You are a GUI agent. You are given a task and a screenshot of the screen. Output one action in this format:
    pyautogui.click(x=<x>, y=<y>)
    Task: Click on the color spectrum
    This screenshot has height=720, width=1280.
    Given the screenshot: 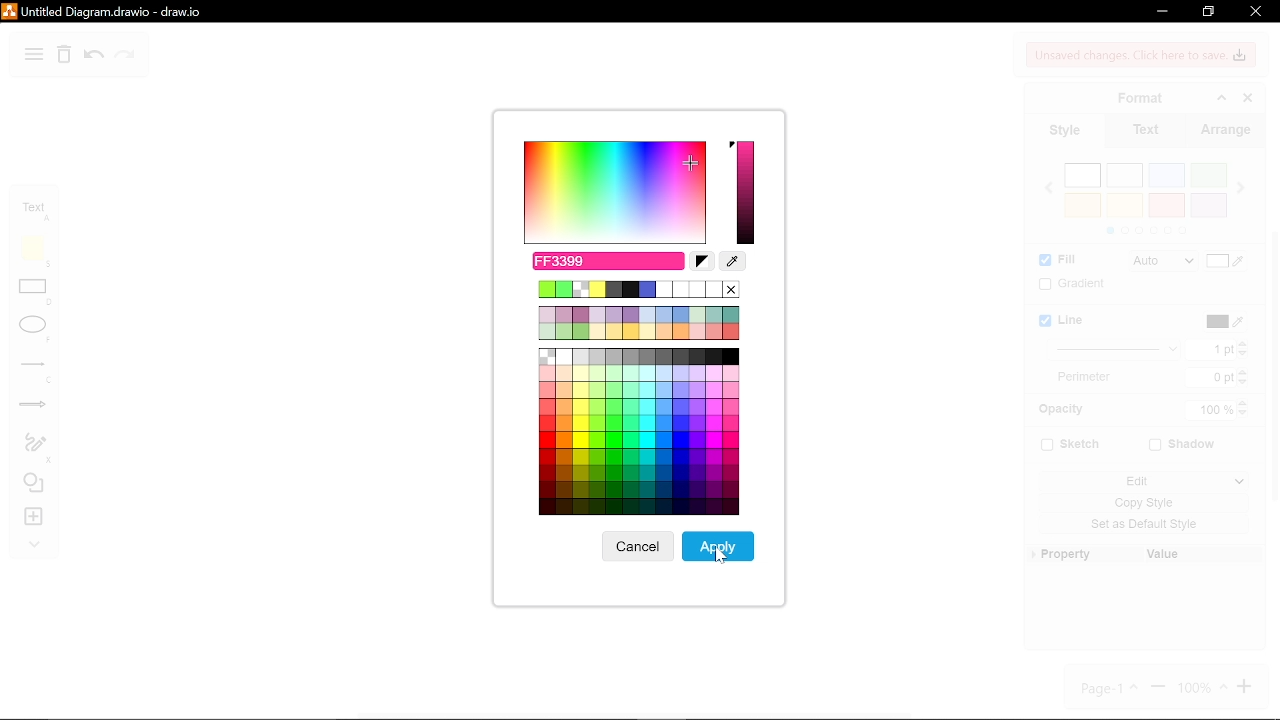 What is the action you would take?
    pyautogui.click(x=612, y=193)
    